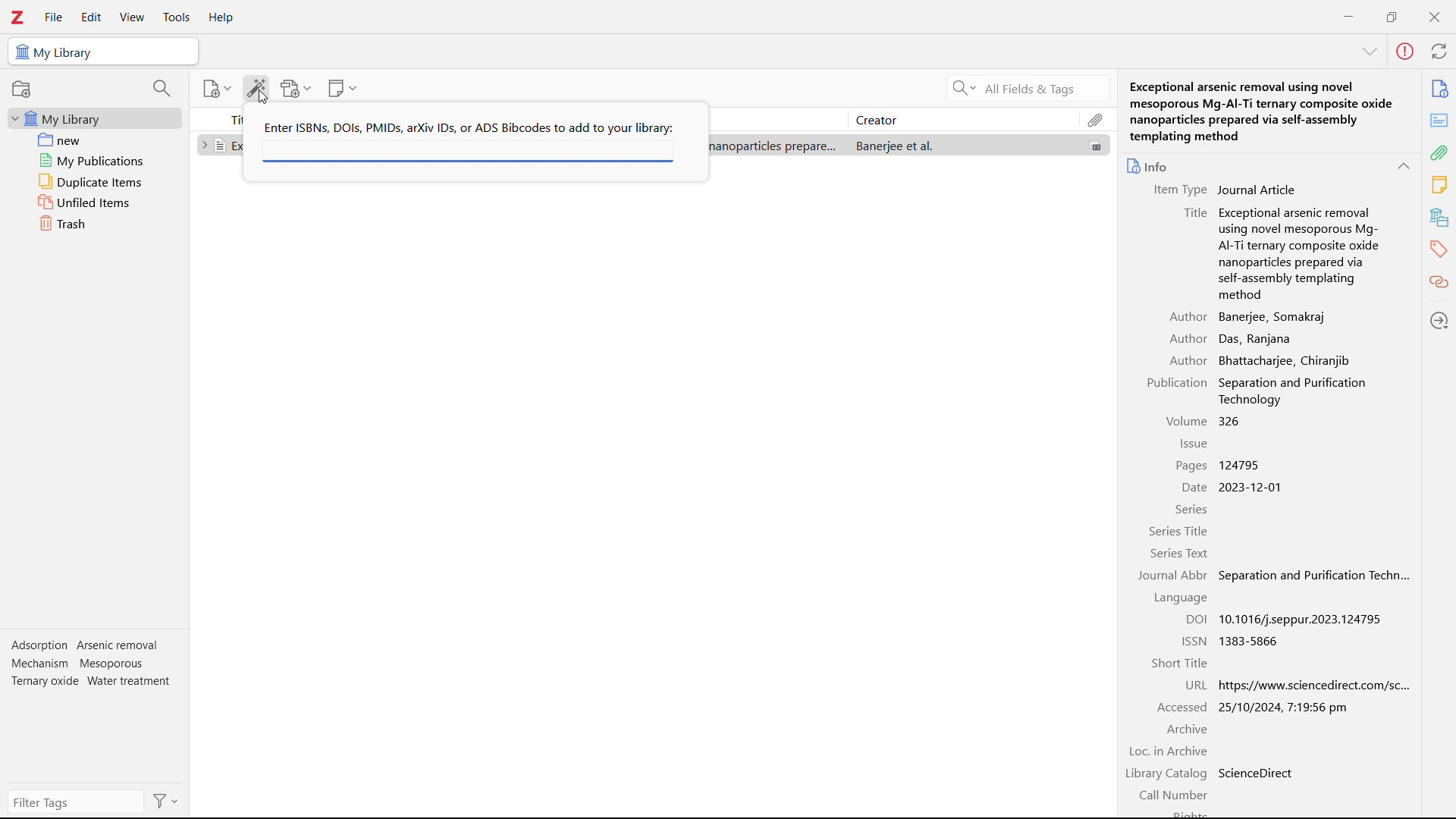 The image size is (1456, 819). What do you see at coordinates (132, 17) in the screenshot?
I see `view` at bounding box center [132, 17].